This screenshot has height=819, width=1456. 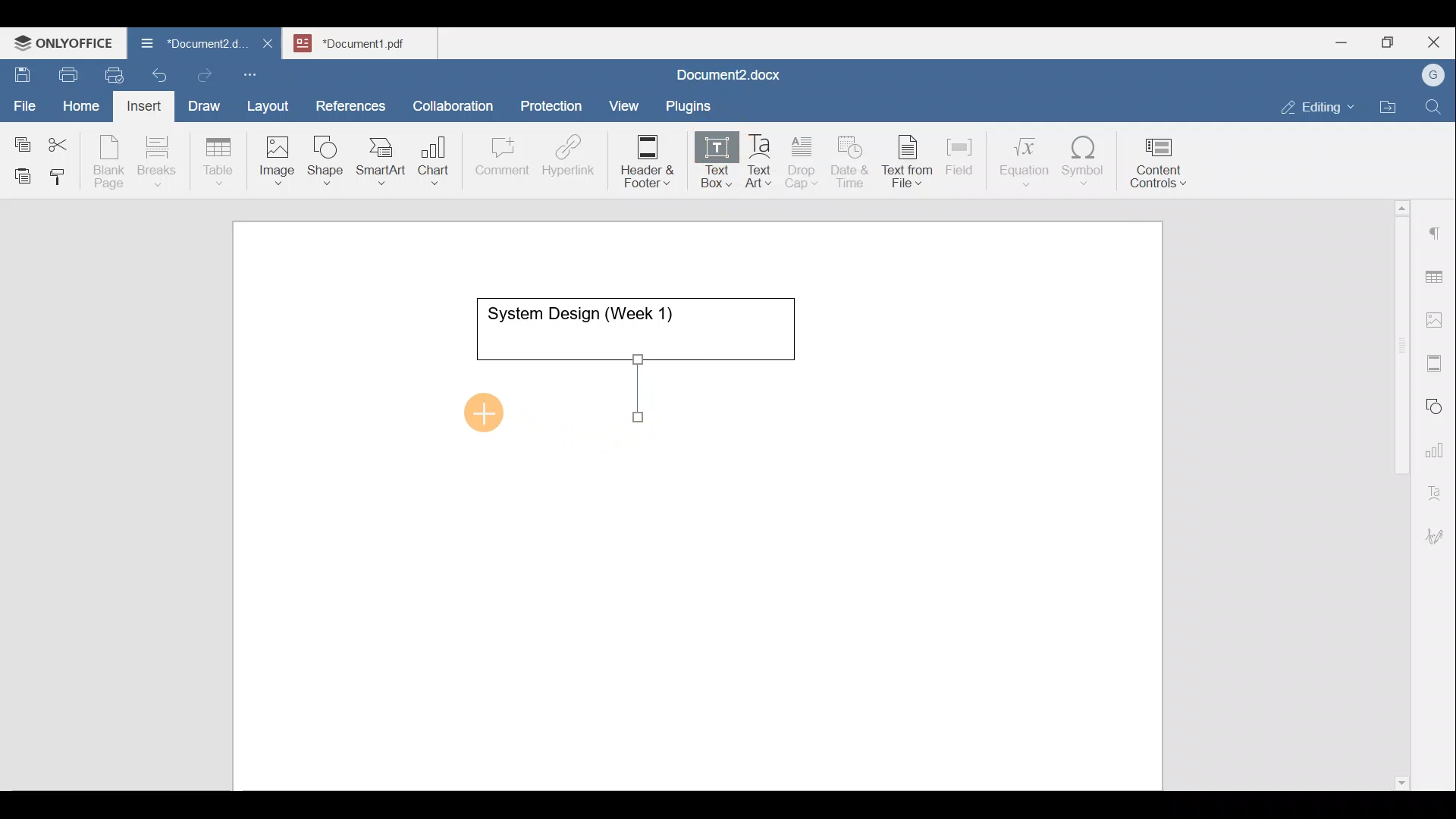 I want to click on ONLYOFFICE, so click(x=64, y=42).